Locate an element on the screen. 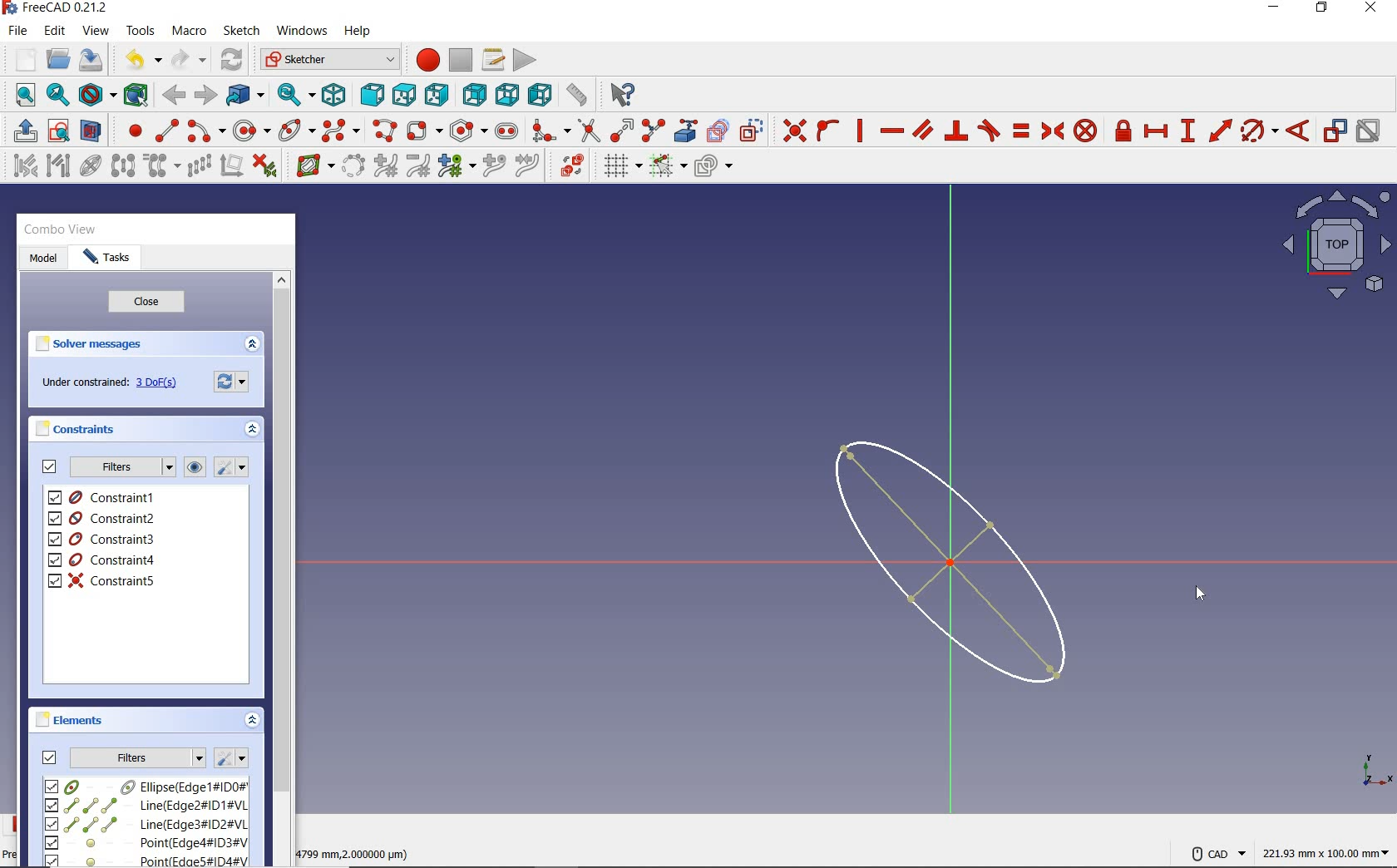 The height and width of the screenshot is (868, 1397). element5 is located at coordinates (147, 860).